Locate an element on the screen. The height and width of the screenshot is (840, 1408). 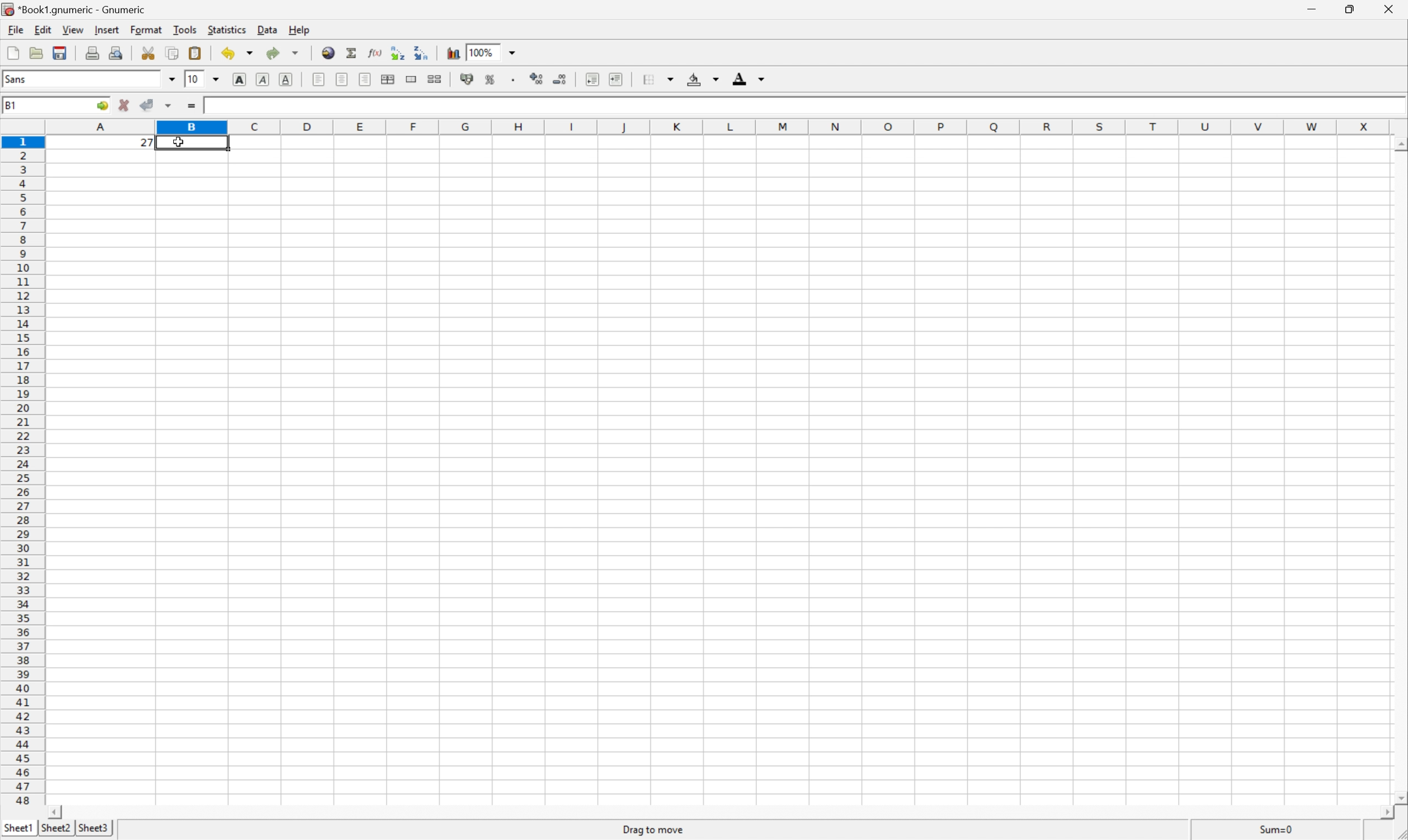
Scroll Down is located at coordinates (1399, 796).